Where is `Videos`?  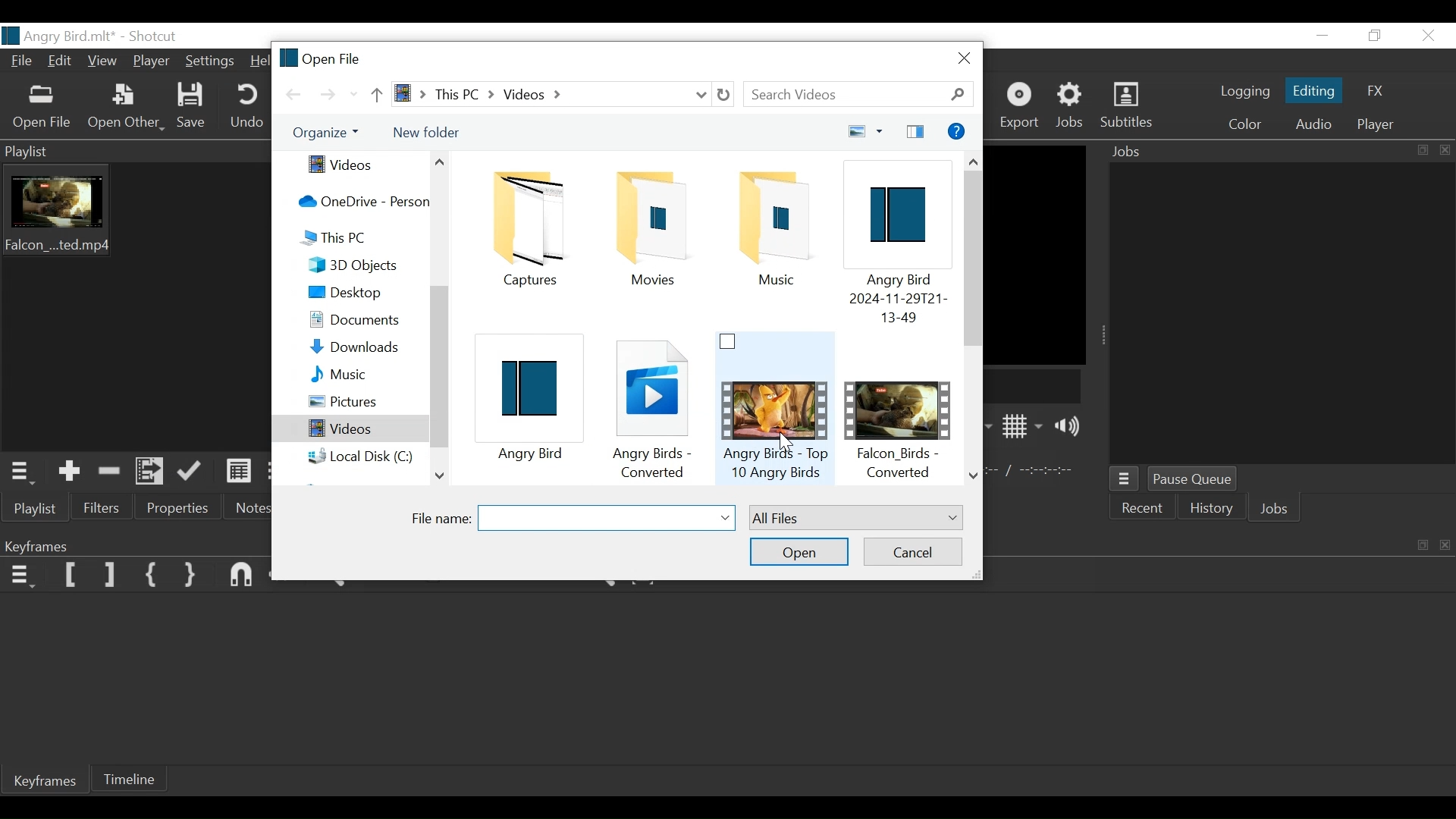 Videos is located at coordinates (350, 428).